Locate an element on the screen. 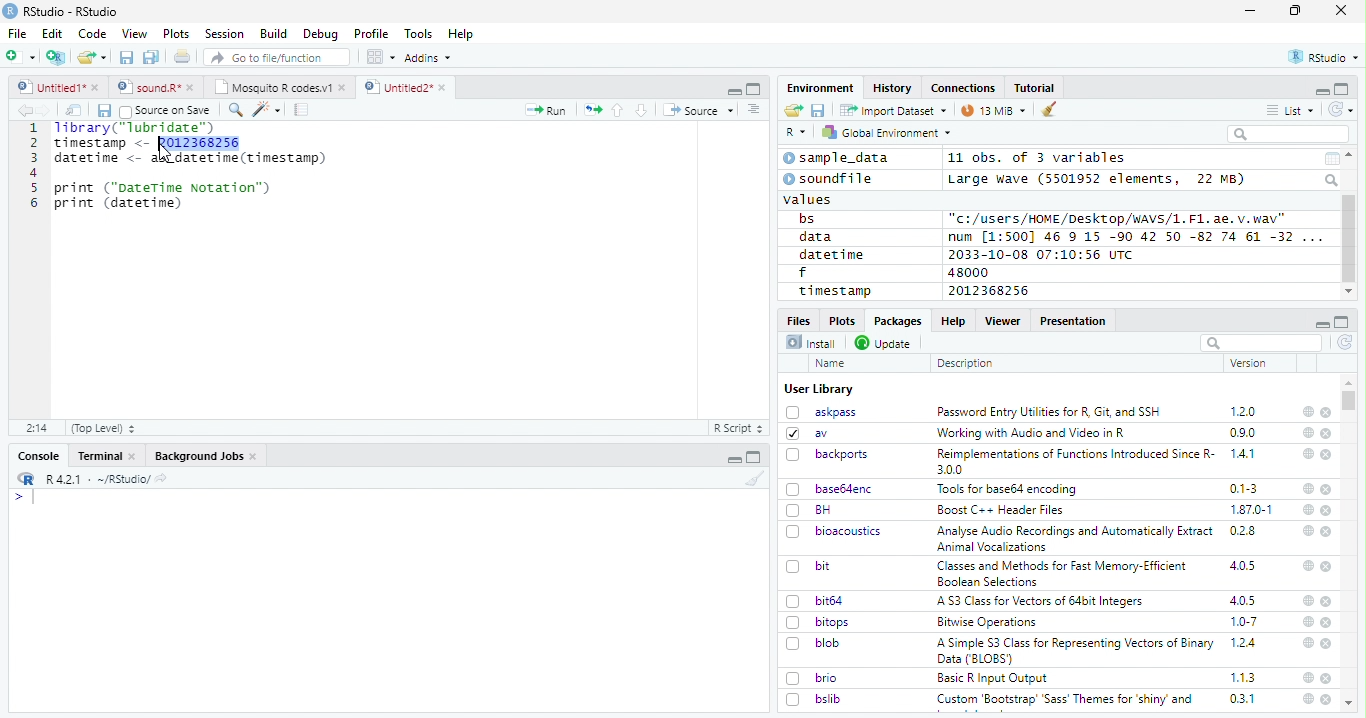 The image size is (1366, 718). Viewer is located at coordinates (1003, 320).